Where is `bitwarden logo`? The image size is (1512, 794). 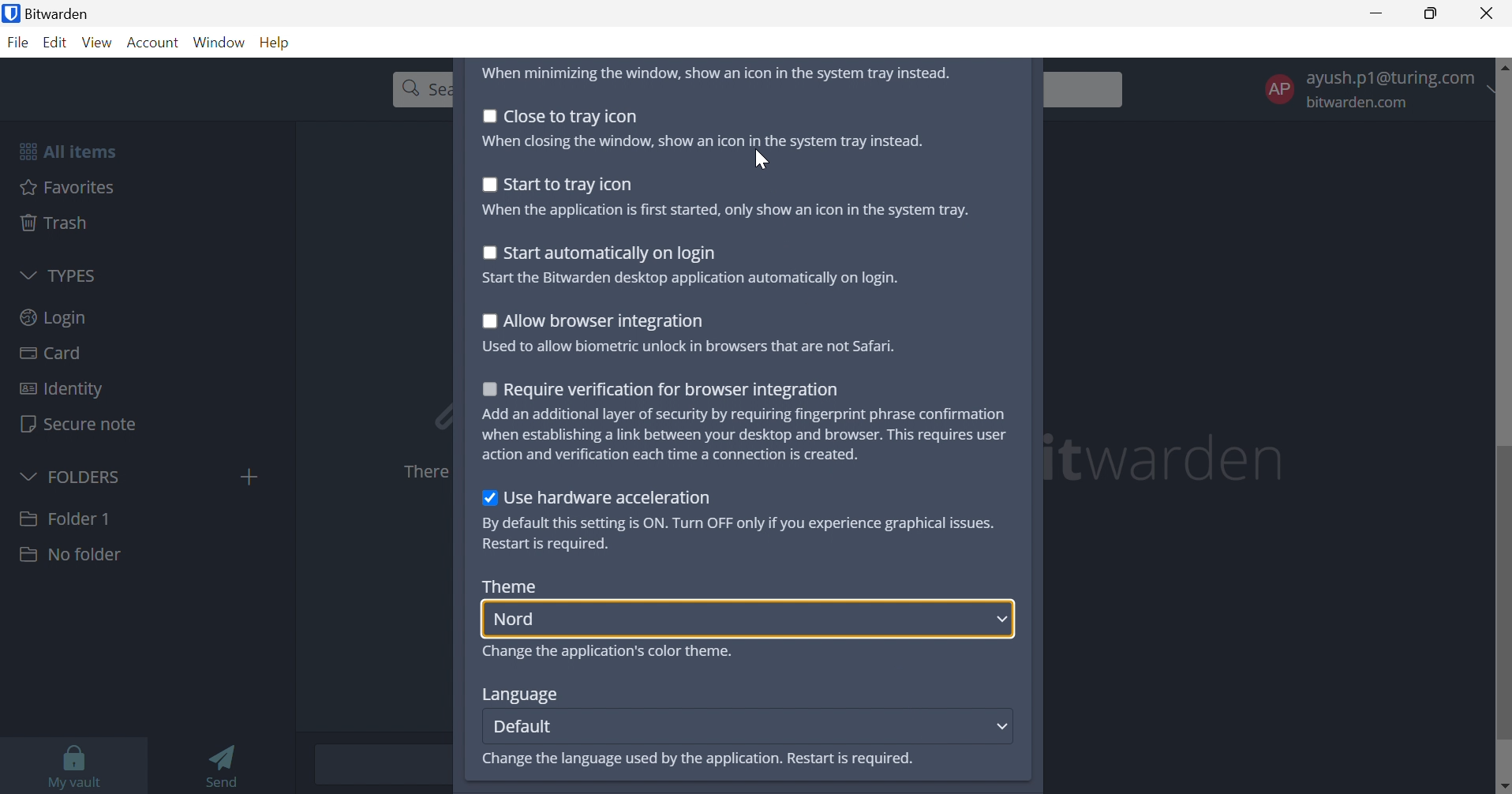 bitwarden logo is located at coordinates (9, 15).